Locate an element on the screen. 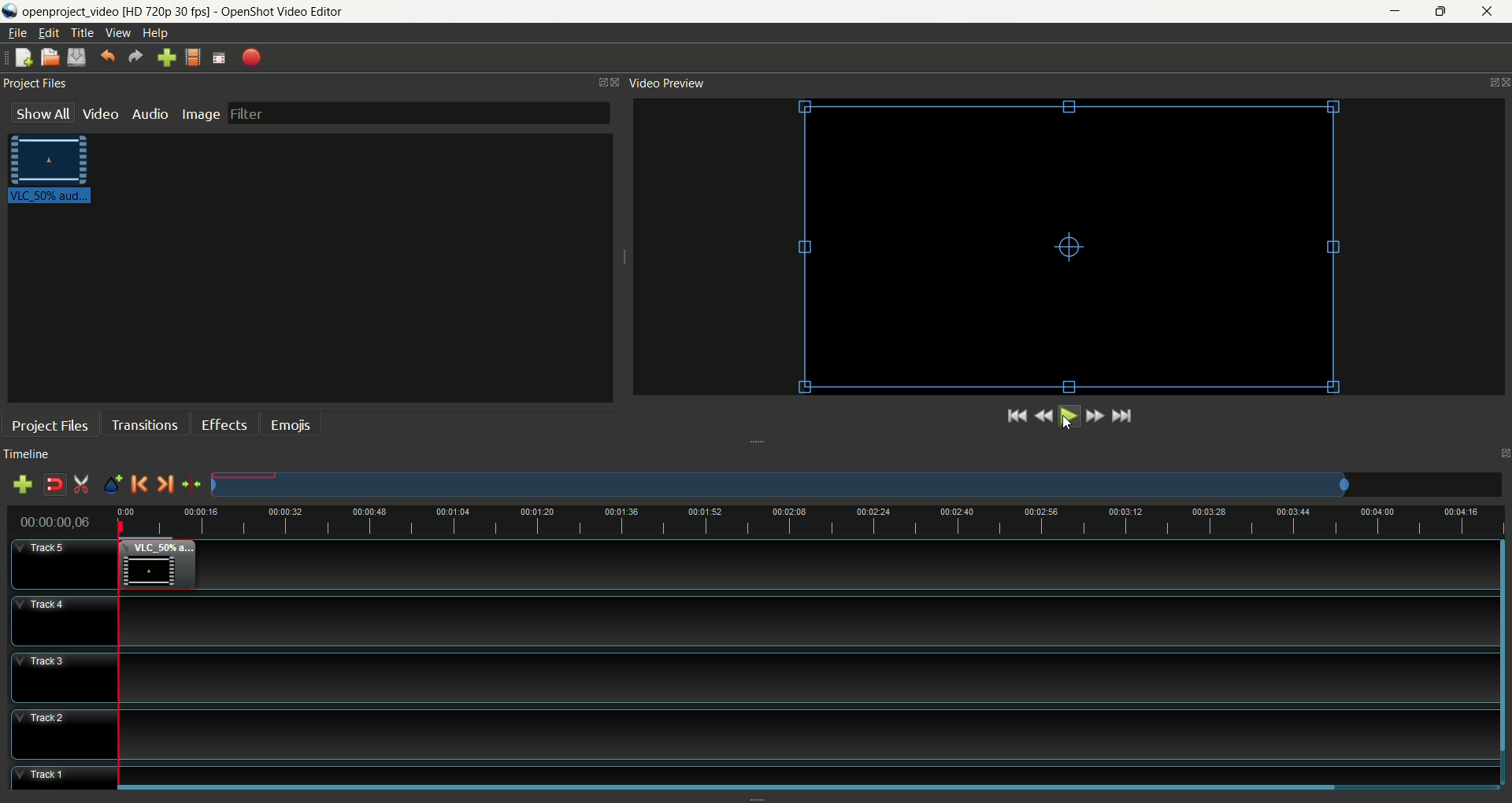  playhead is located at coordinates (120, 653).